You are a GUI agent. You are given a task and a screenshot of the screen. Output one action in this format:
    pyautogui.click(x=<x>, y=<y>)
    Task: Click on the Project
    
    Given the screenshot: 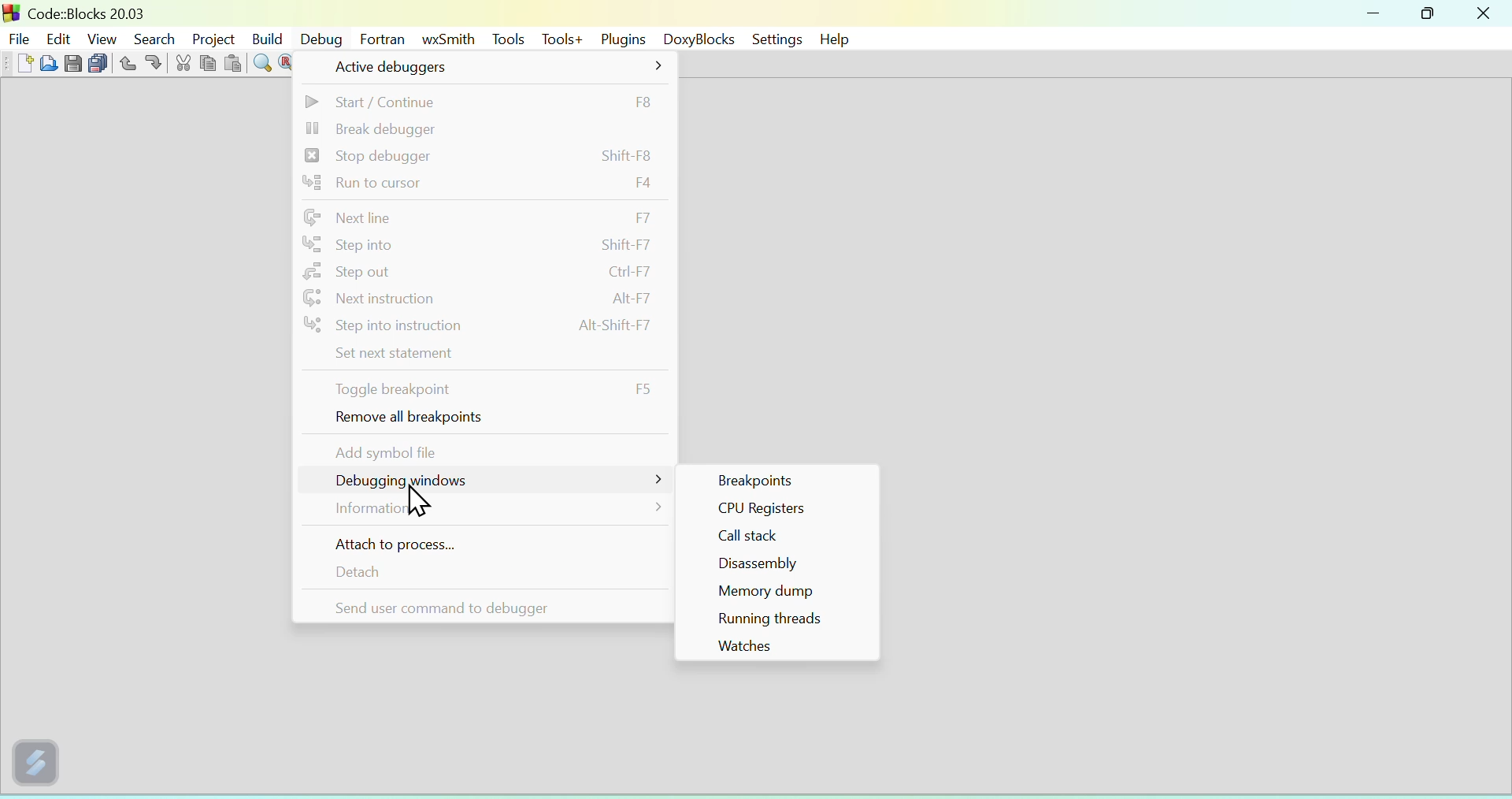 What is the action you would take?
    pyautogui.click(x=209, y=36)
    